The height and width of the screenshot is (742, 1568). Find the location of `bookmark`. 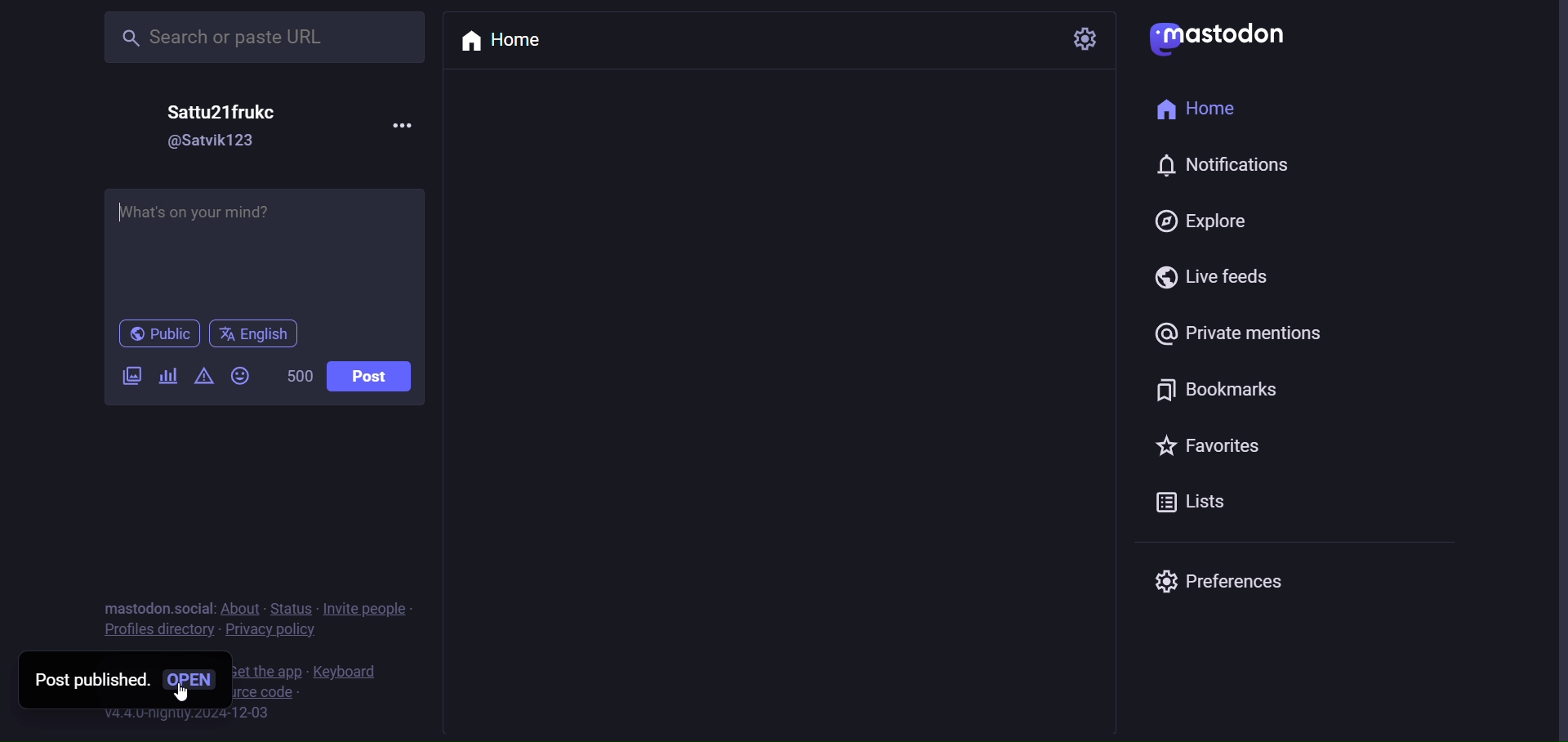

bookmark is located at coordinates (1205, 391).